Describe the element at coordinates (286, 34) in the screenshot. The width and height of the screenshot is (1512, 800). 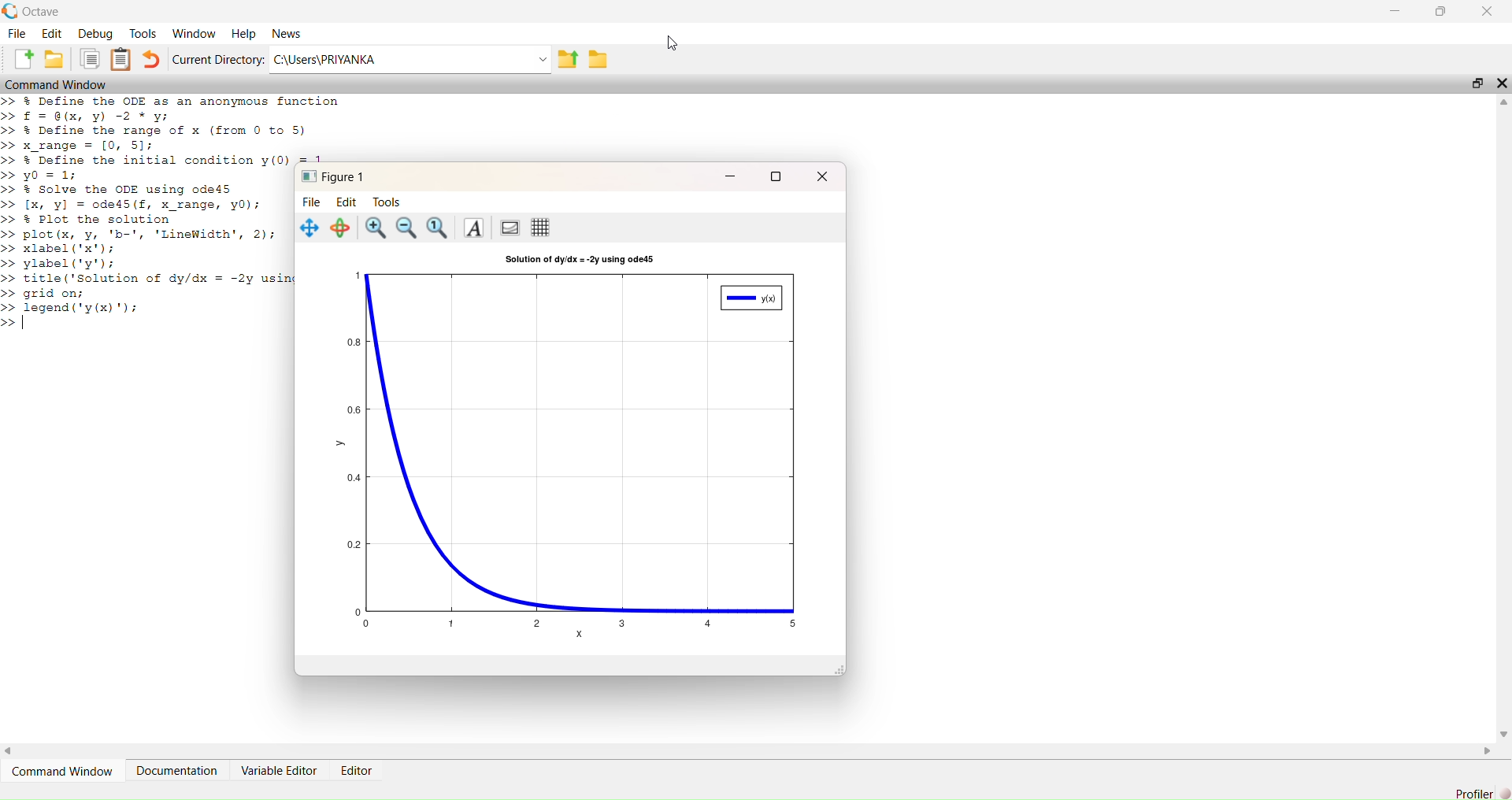
I see `News` at that location.